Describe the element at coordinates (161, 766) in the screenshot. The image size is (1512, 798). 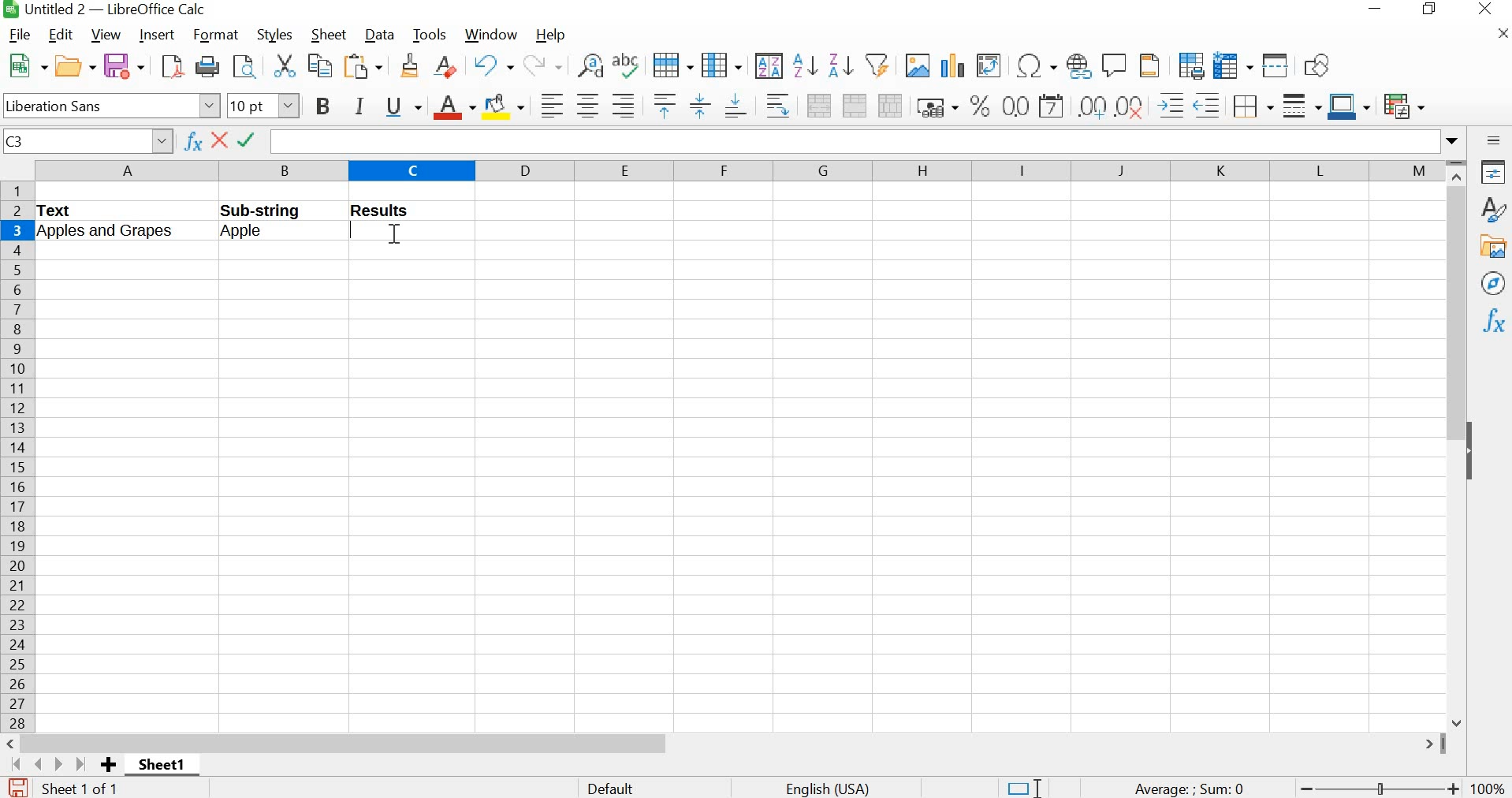
I see `sheet1` at that location.